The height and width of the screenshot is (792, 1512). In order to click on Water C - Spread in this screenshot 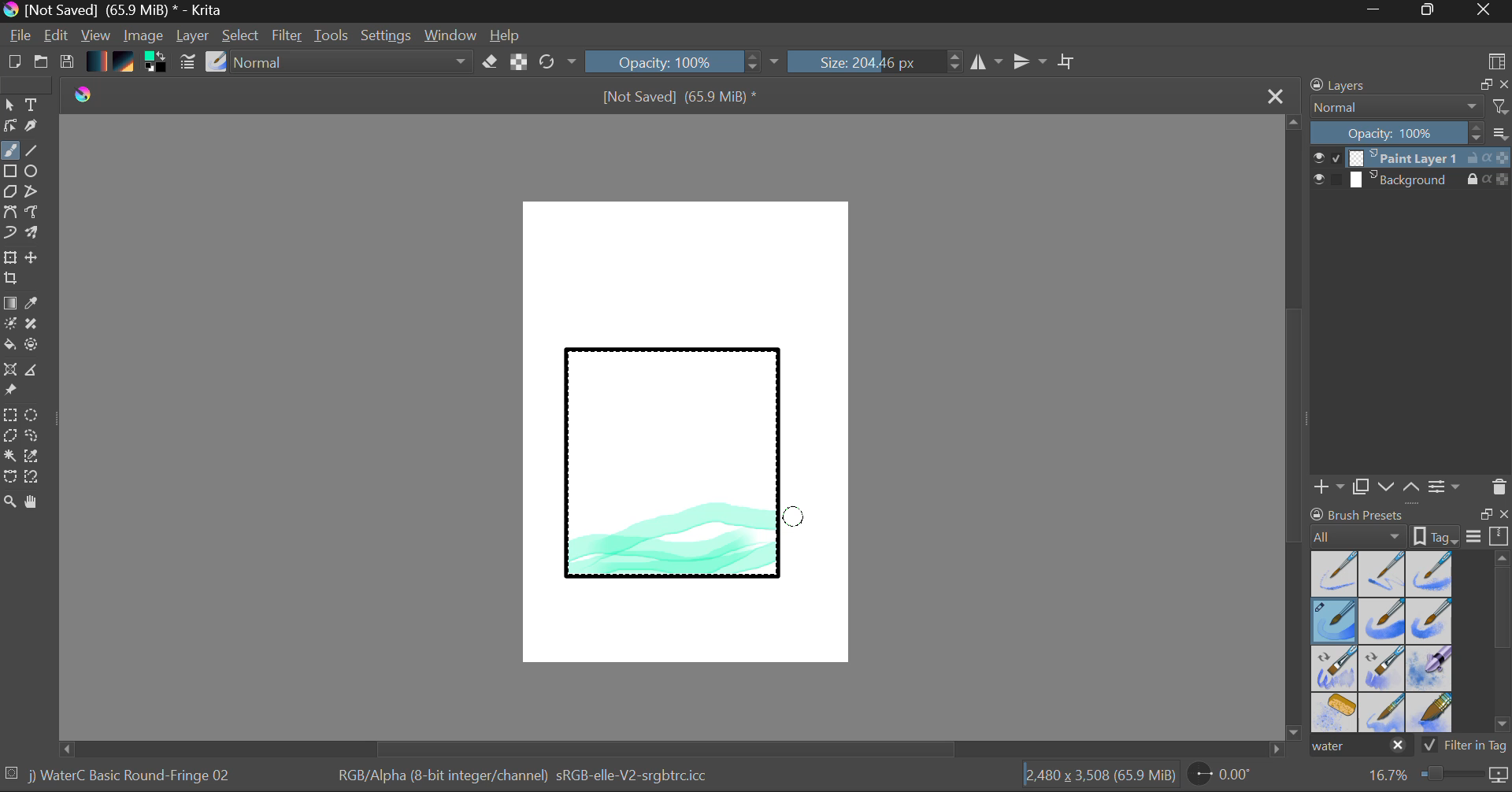, I will do `click(1384, 712)`.